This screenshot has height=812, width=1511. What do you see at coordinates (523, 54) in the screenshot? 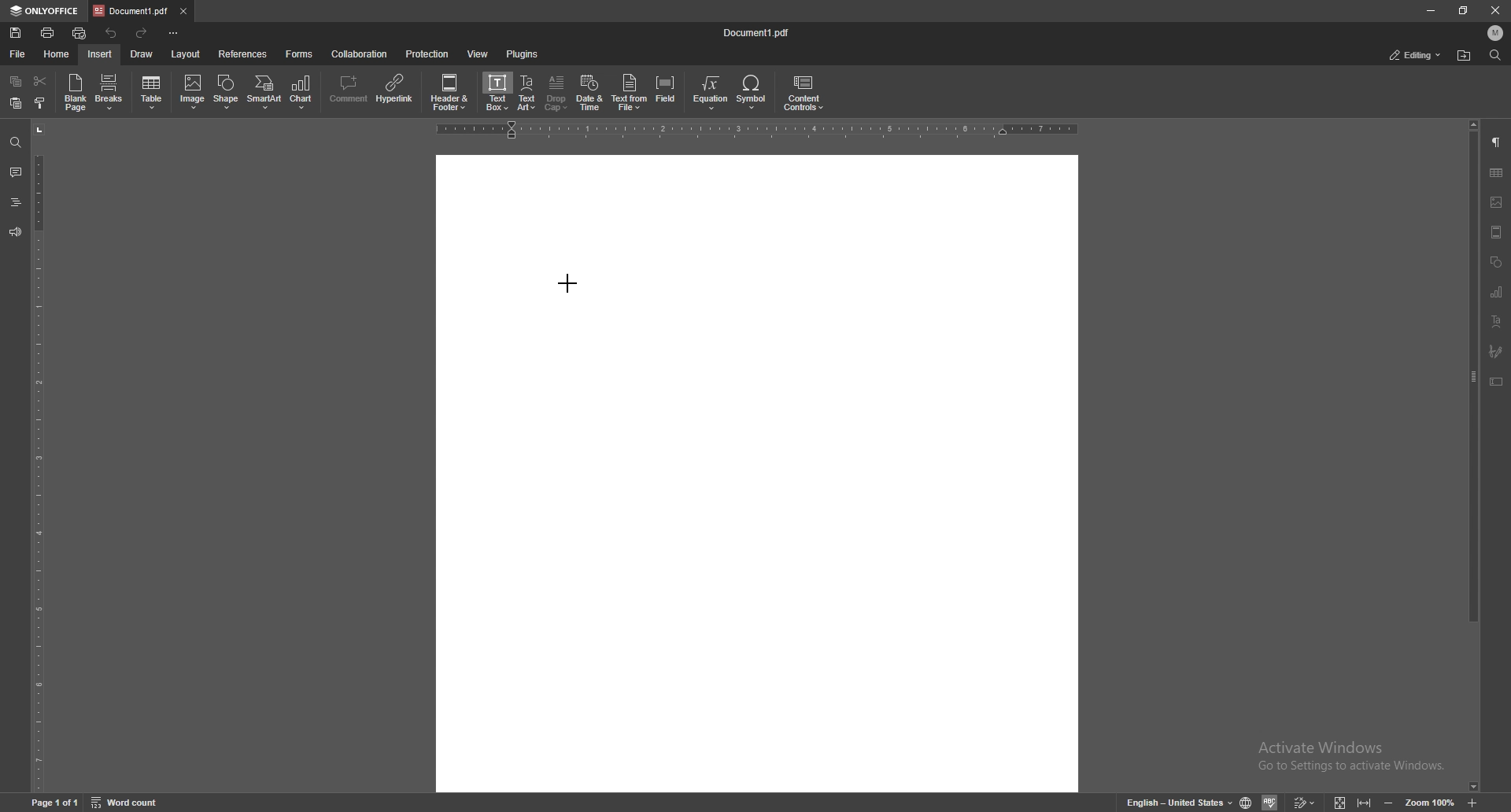
I see `plugins` at bounding box center [523, 54].